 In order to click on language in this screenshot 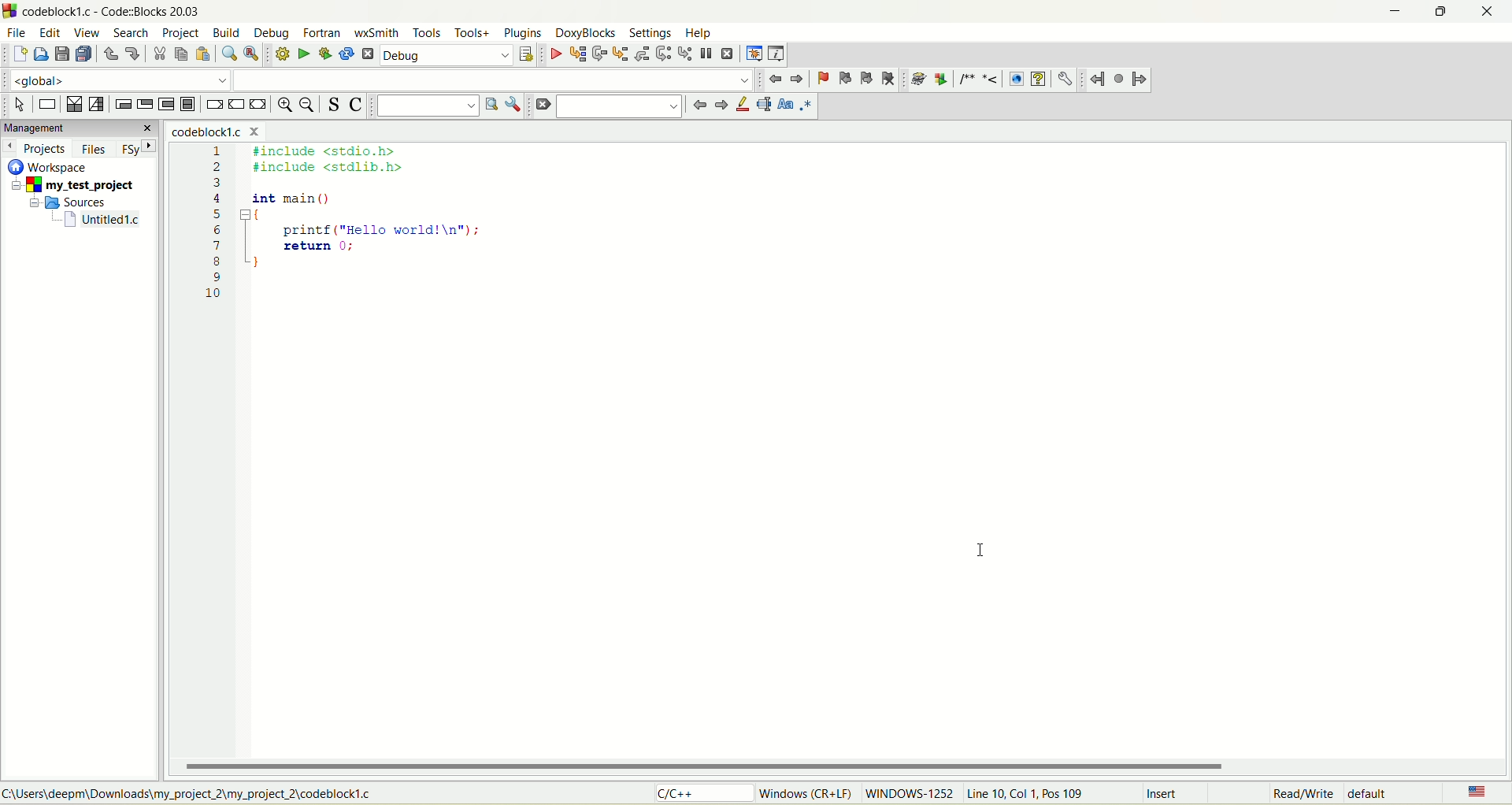, I will do `click(1475, 793)`.